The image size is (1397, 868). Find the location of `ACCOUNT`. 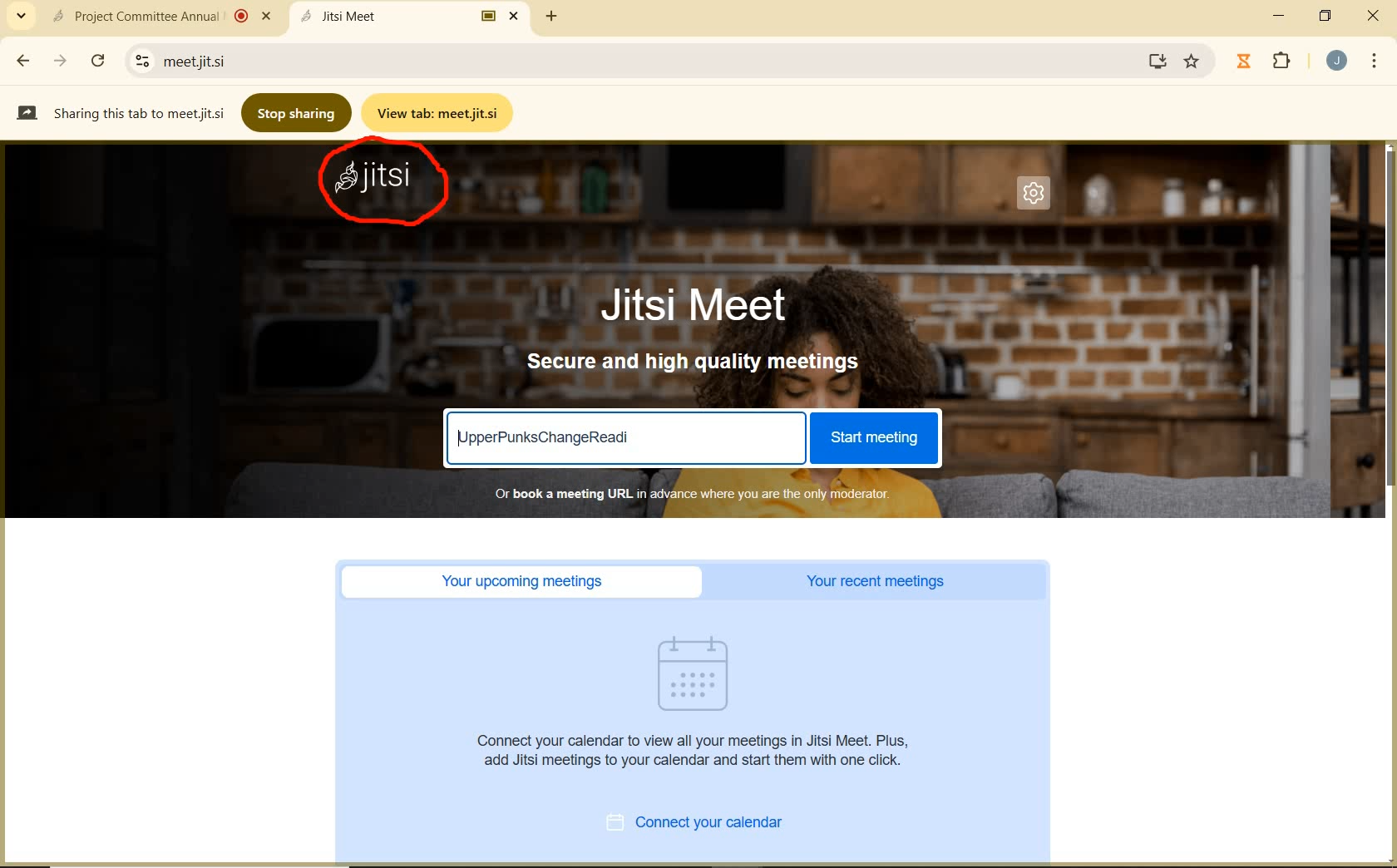

ACCOUNT is located at coordinates (1337, 61).